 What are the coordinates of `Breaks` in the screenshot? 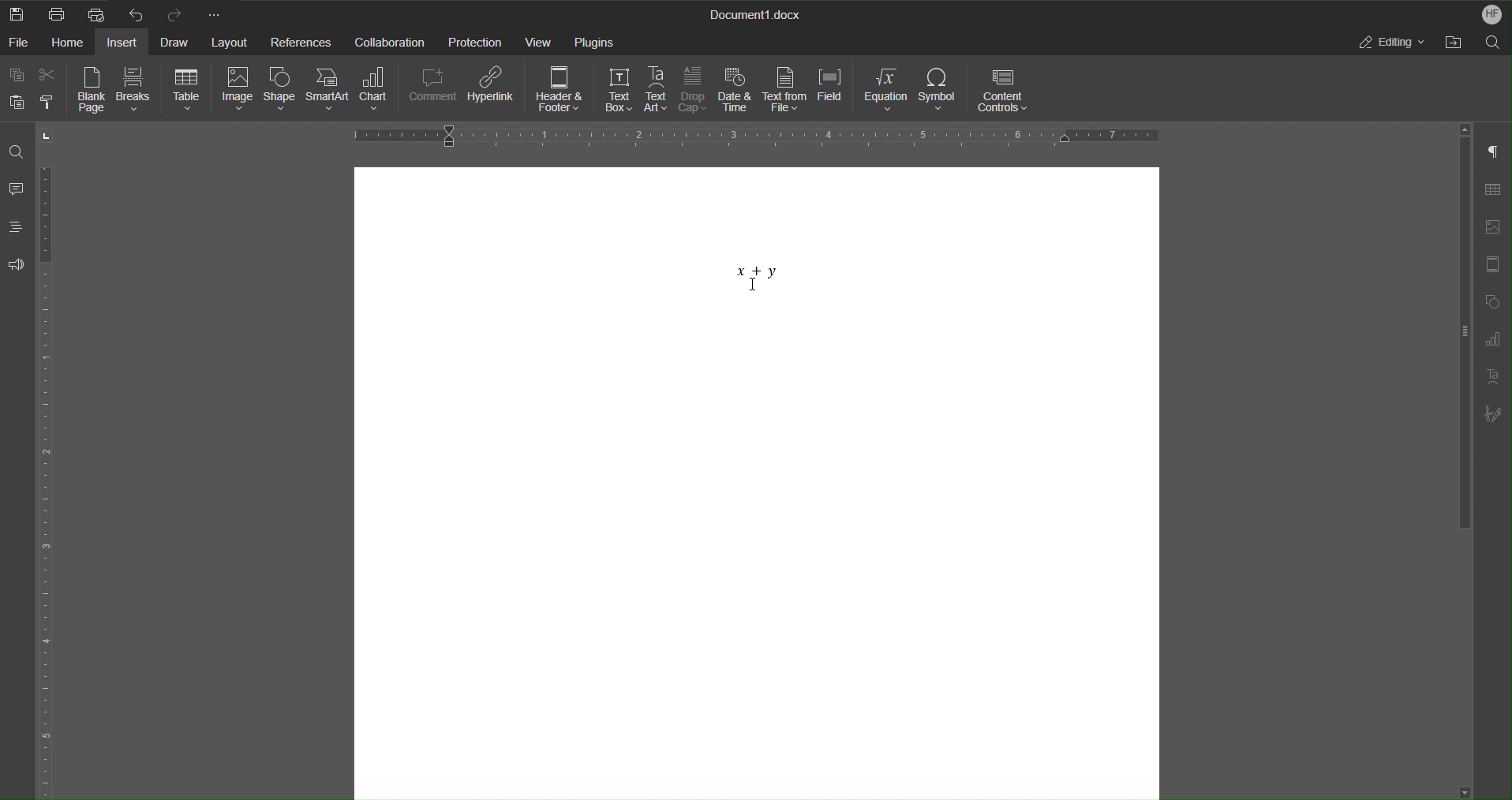 It's located at (137, 91).